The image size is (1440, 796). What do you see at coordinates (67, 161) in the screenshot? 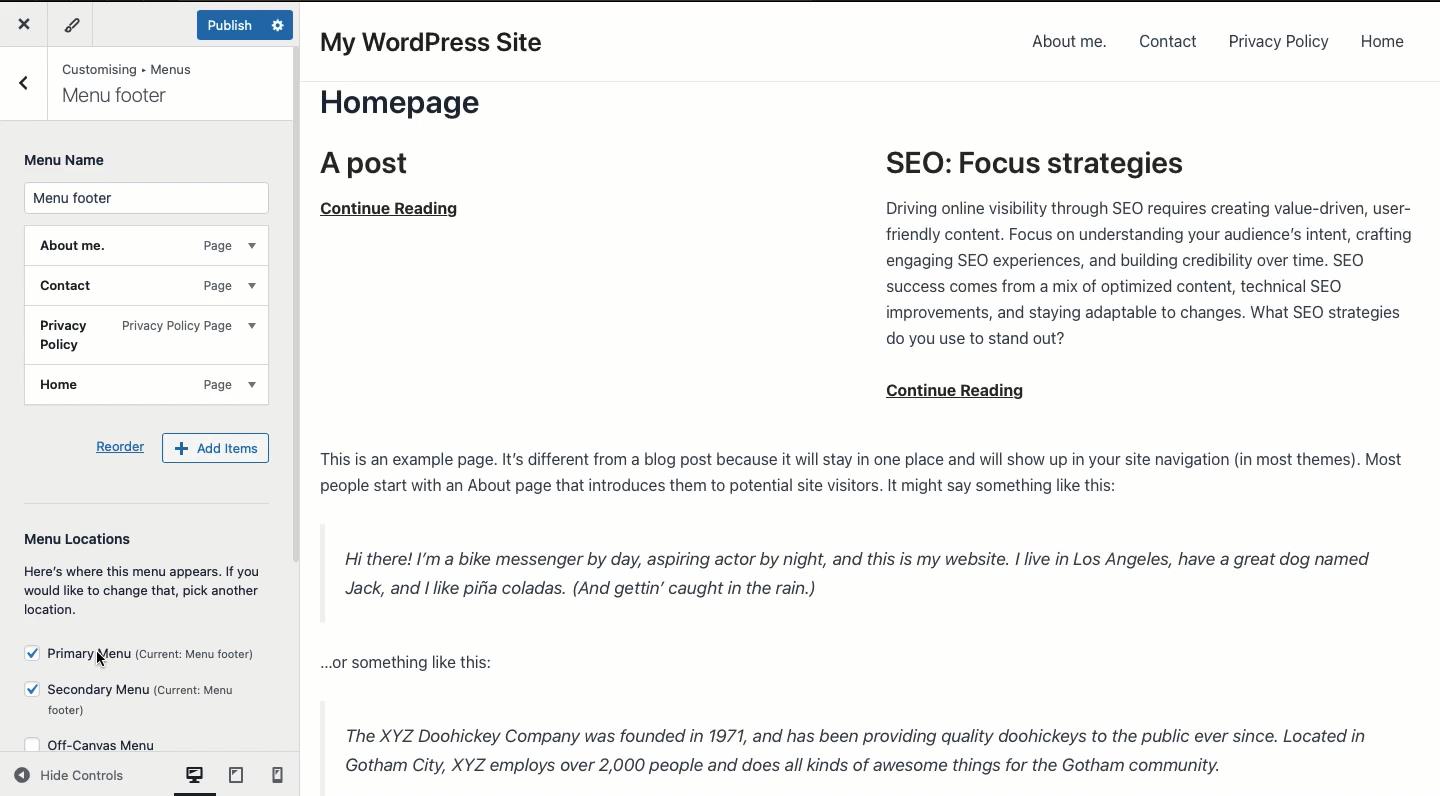
I see `Menu name` at bounding box center [67, 161].